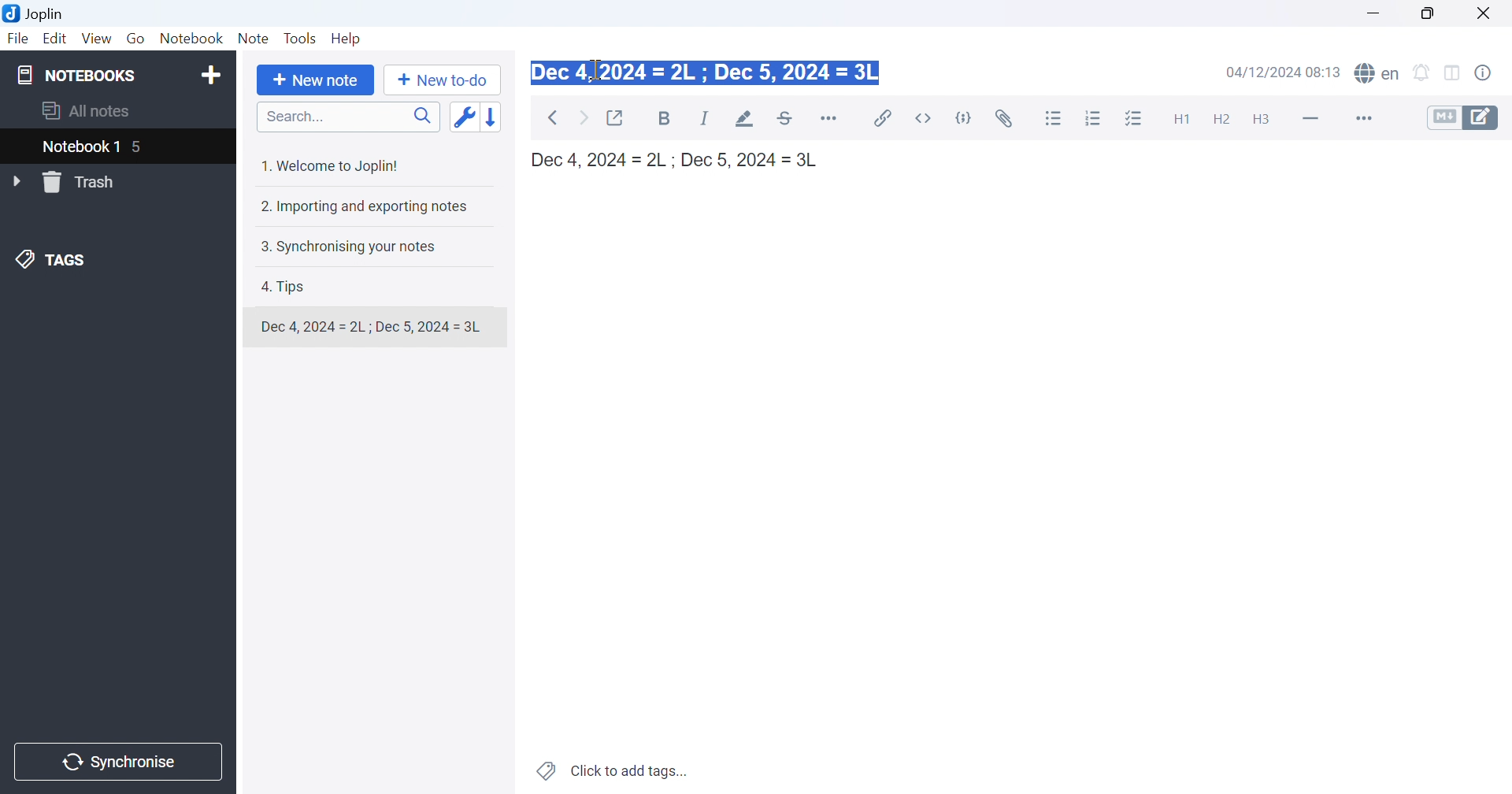 The width and height of the screenshot is (1512, 794). What do you see at coordinates (462, 117) in the screenshot?
I see `Toggle sort order field` at bounding box center [462, 117].